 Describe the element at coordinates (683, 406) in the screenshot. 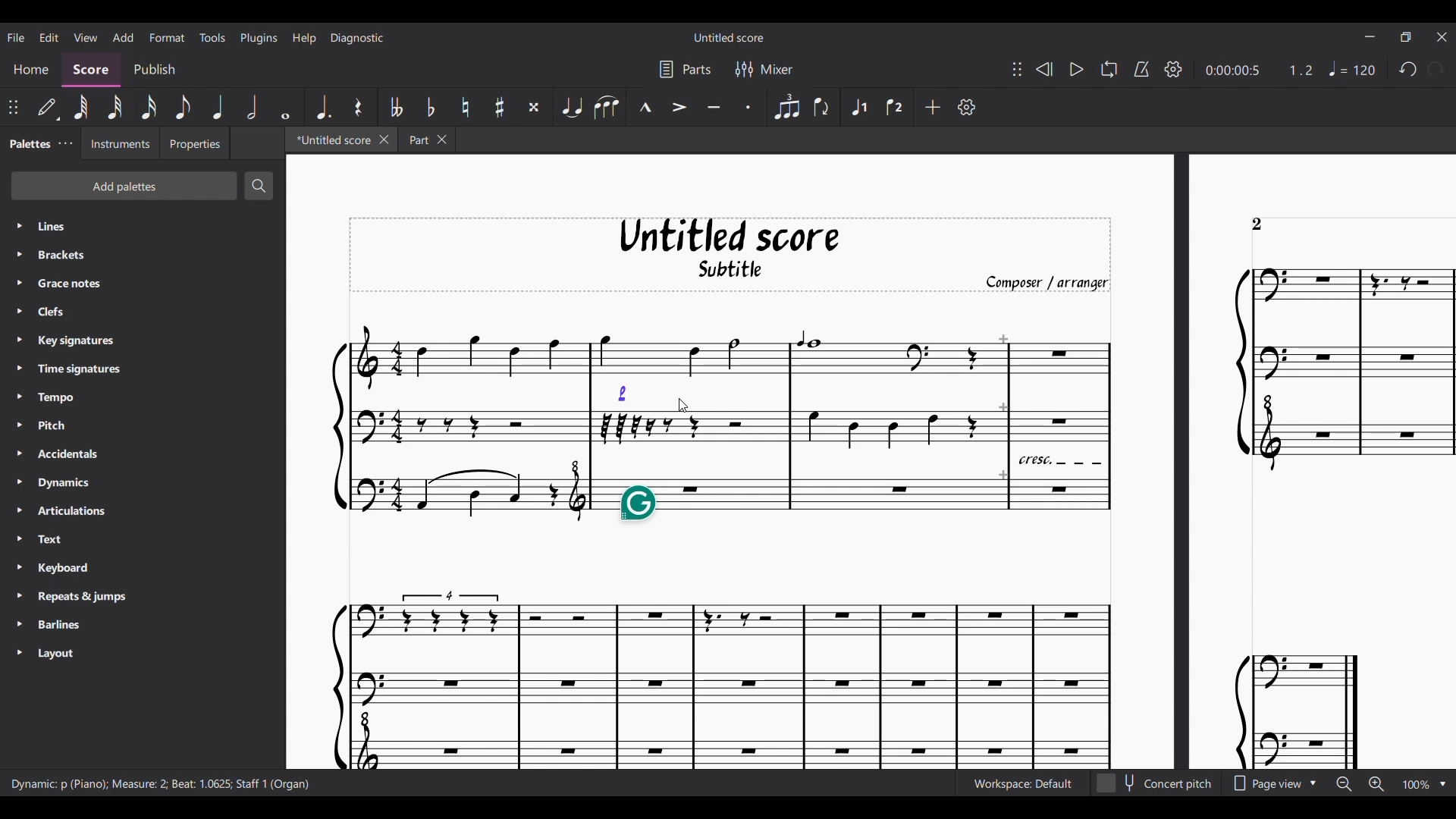

I see `Cursor position unchanged` at that location.